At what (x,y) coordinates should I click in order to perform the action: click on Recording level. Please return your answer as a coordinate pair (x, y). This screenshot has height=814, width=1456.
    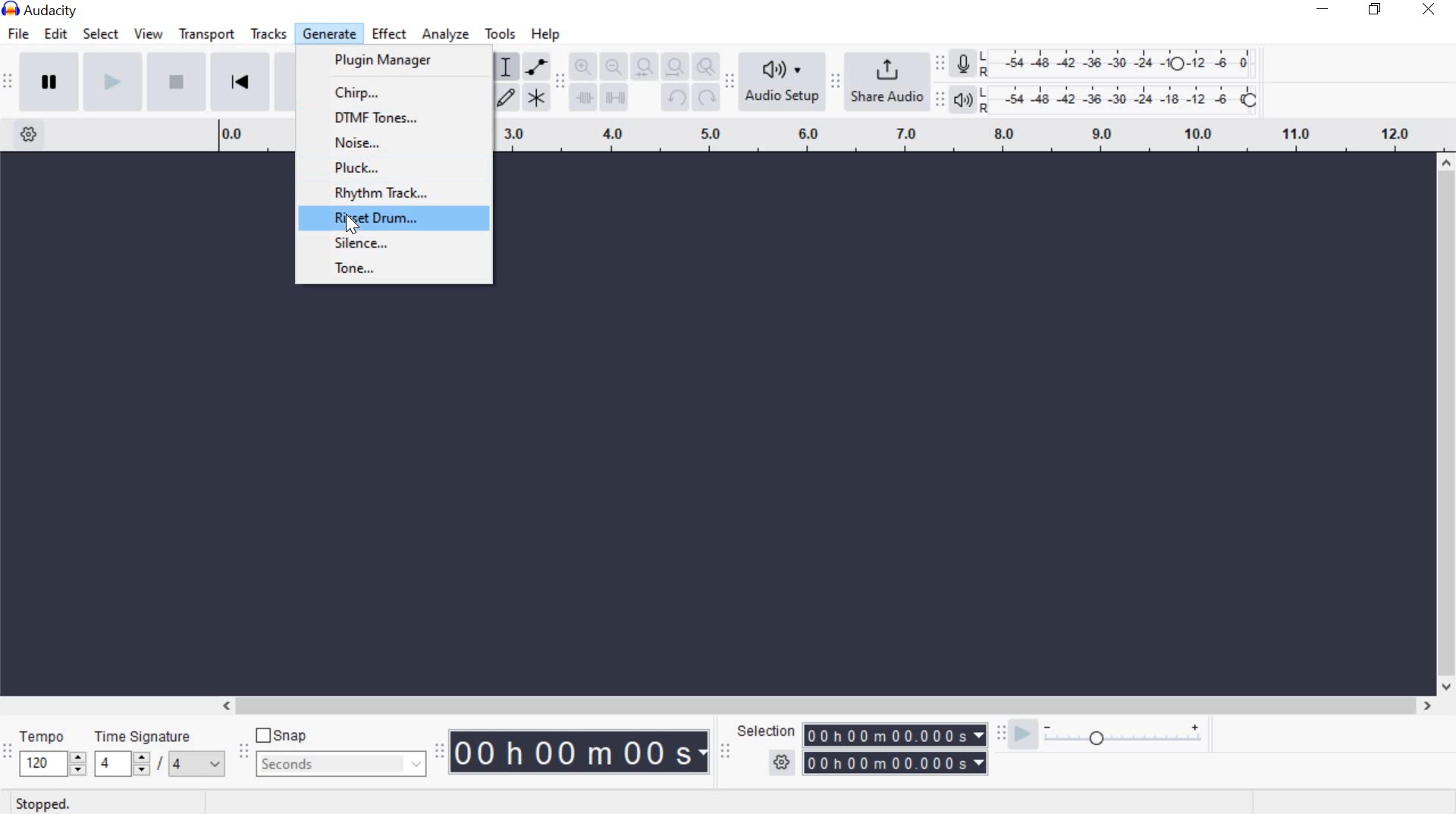
    Looking at the image, I should click on (1124, 59).